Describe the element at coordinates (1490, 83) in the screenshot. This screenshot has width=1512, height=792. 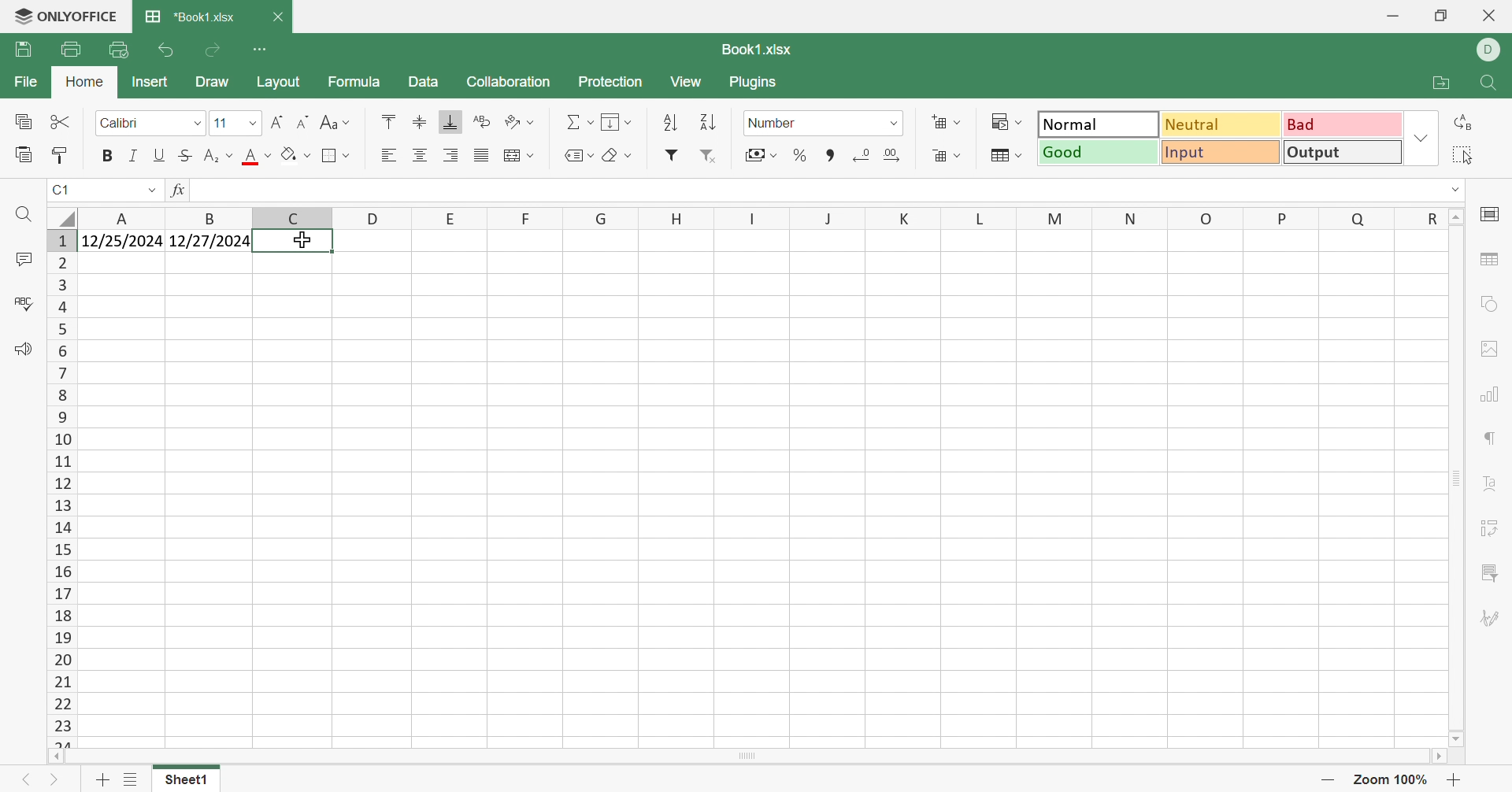
I see `Find` at that location.